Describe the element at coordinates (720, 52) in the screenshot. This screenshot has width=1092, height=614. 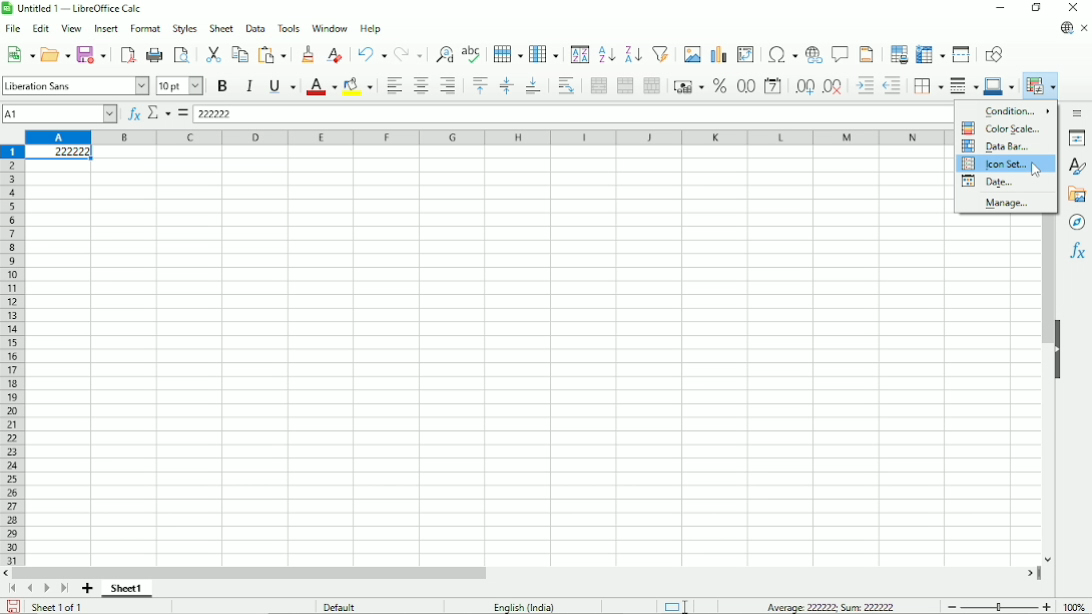
I see `Insert chart` at that location.